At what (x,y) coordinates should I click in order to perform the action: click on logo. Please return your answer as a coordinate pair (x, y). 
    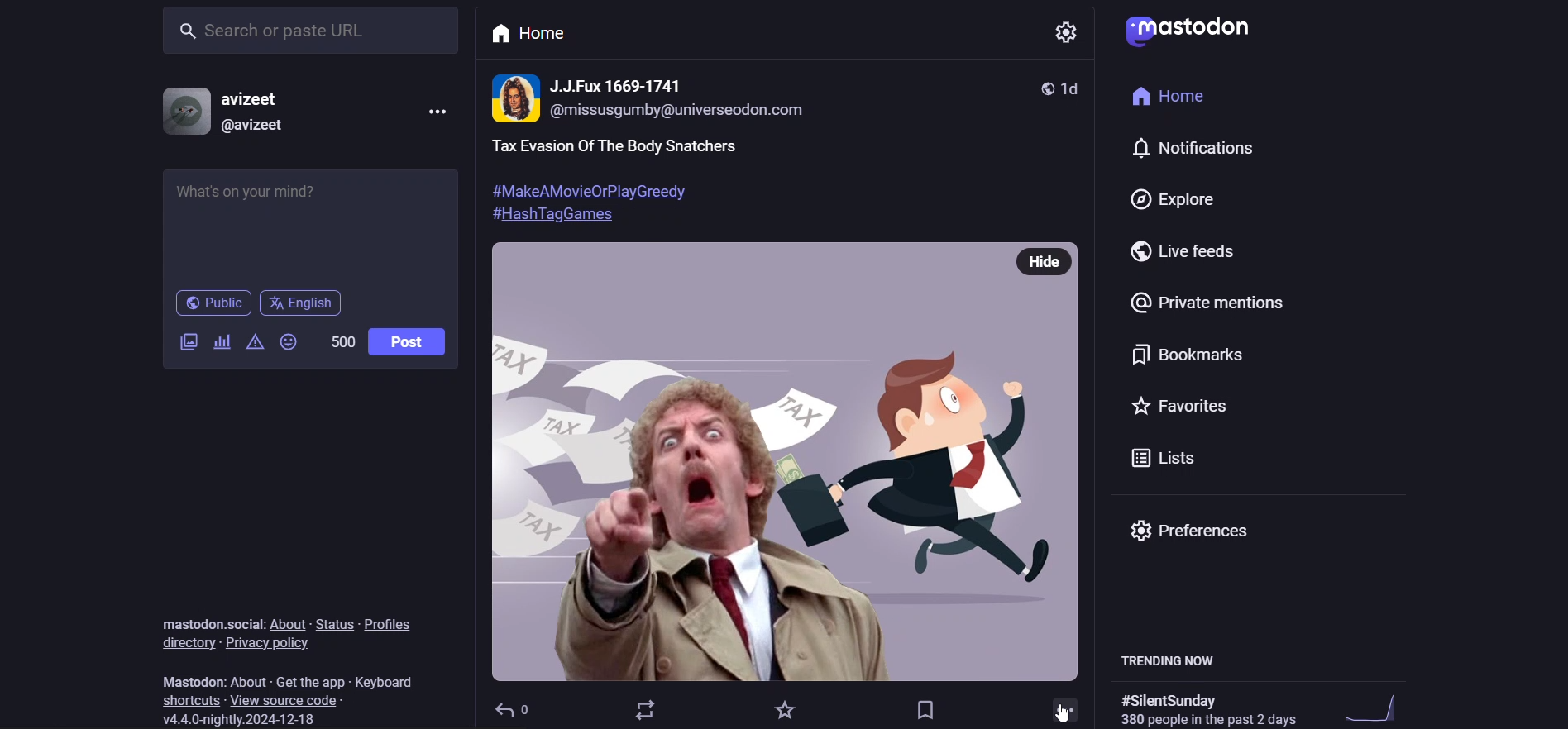
    Looking at the image, I should click on (1196, 31).